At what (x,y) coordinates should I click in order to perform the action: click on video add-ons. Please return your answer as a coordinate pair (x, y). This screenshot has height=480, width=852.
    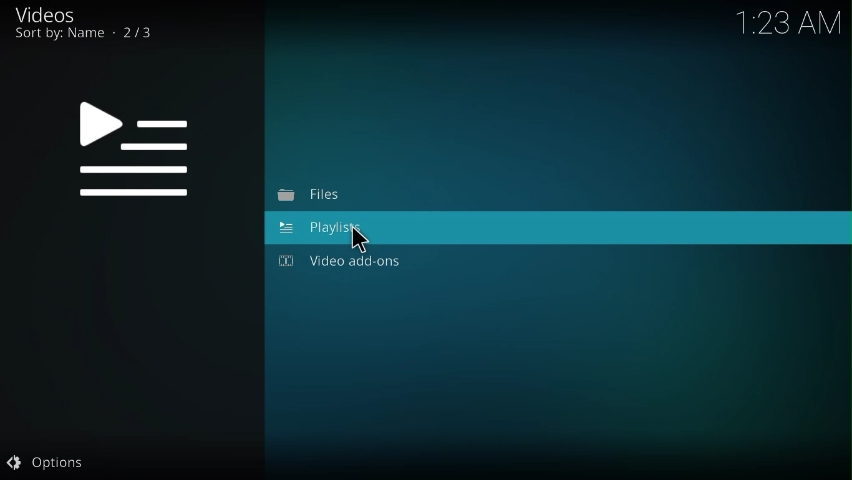
    Looking at the image, I should click on (345, 260).